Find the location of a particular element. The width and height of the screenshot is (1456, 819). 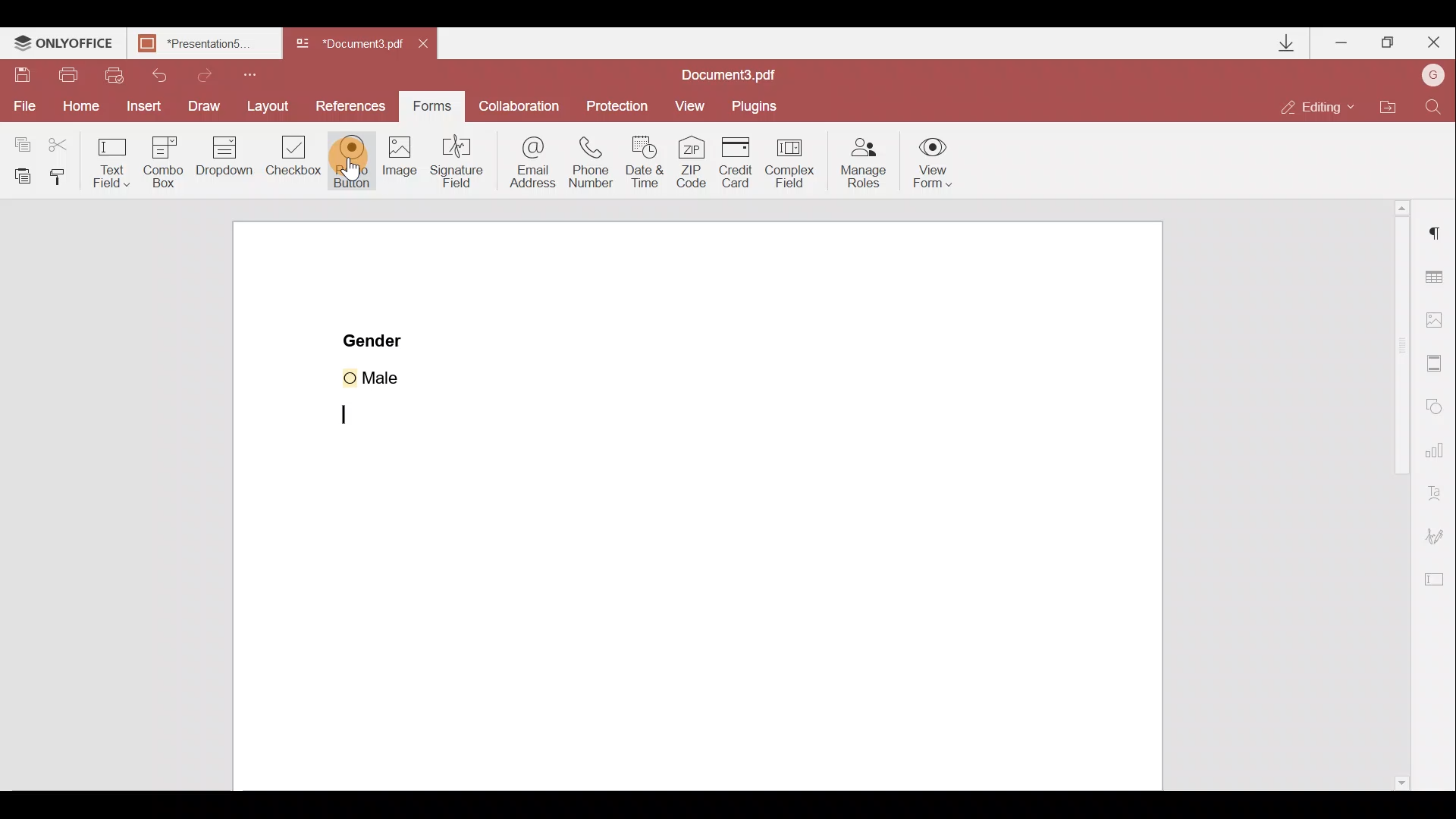

Layout is located at coordinates (271, 108).